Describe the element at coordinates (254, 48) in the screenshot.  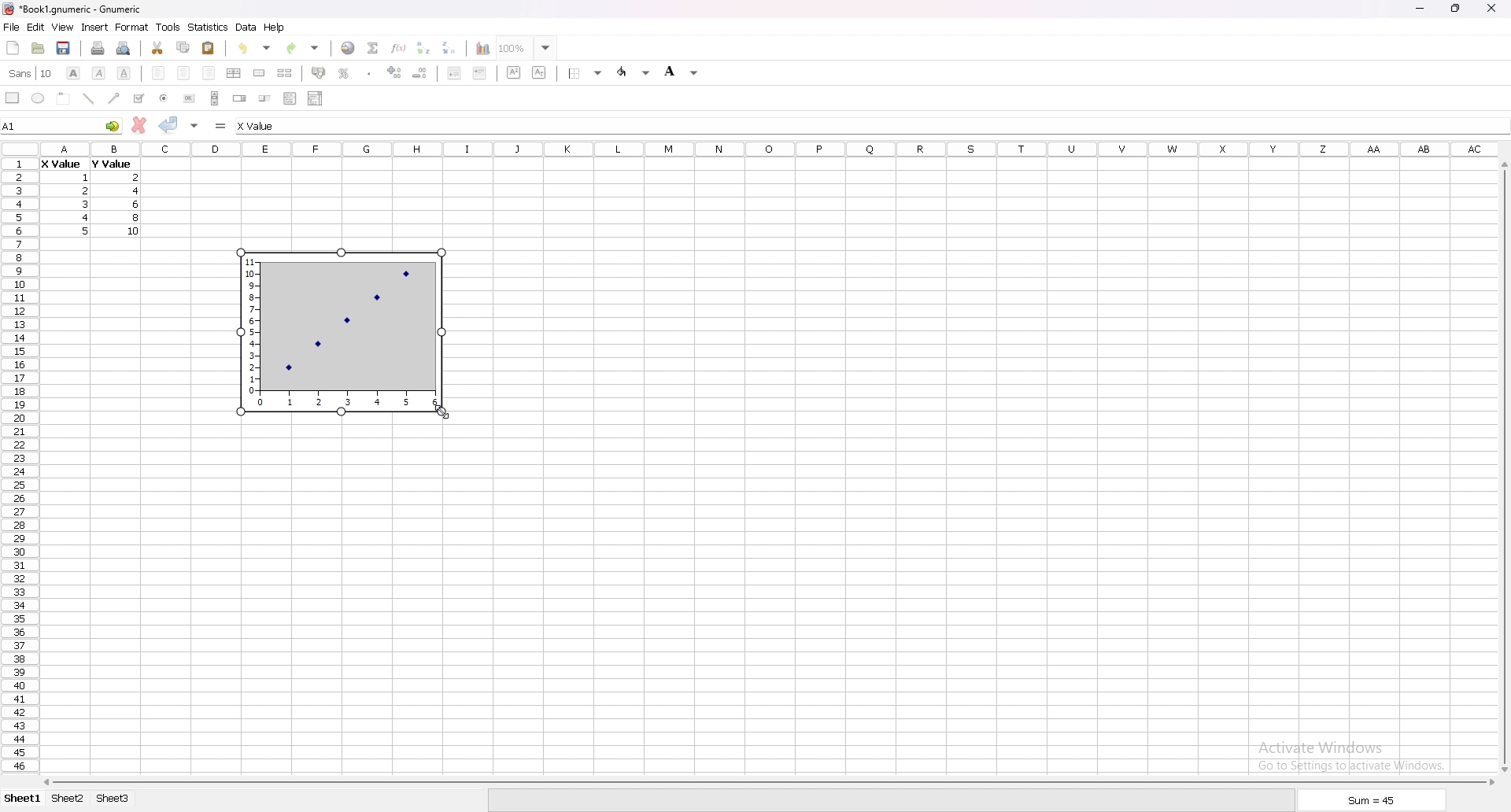
I see `undo` at that location.